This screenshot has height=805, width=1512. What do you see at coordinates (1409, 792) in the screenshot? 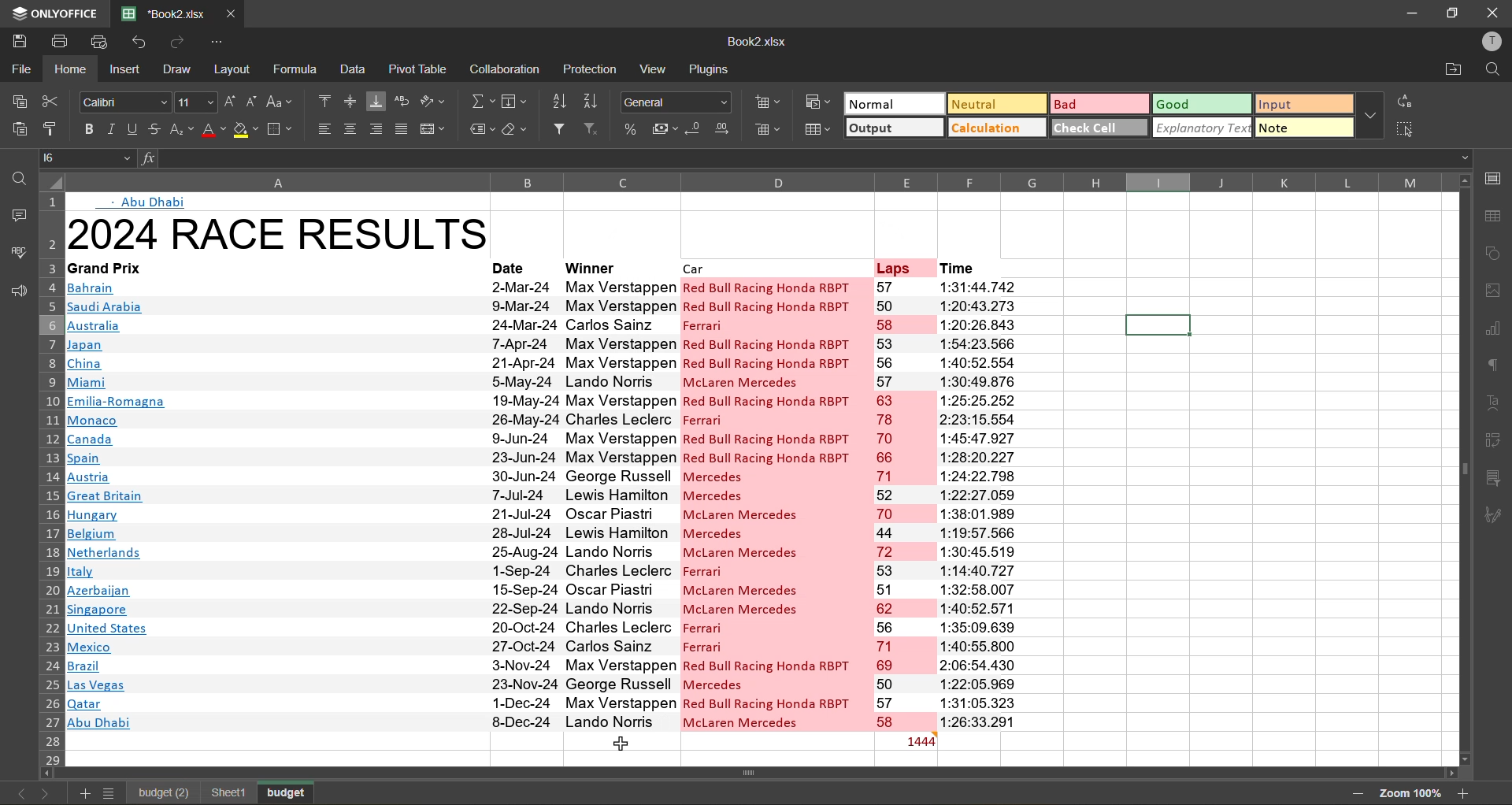
I see `zoom factor` at bounding box center [1409, 792].